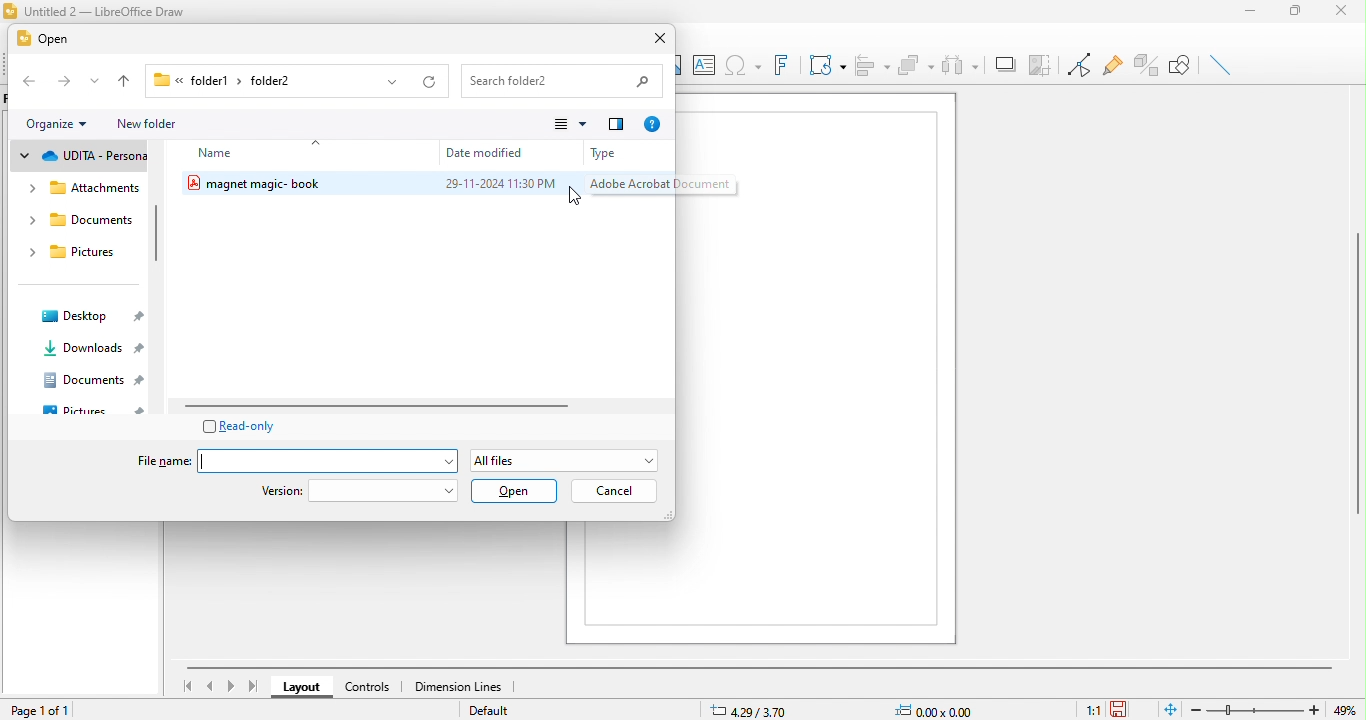  Describe the element at coordinates (623, 155) in the screenshot. I see `type` at that location.